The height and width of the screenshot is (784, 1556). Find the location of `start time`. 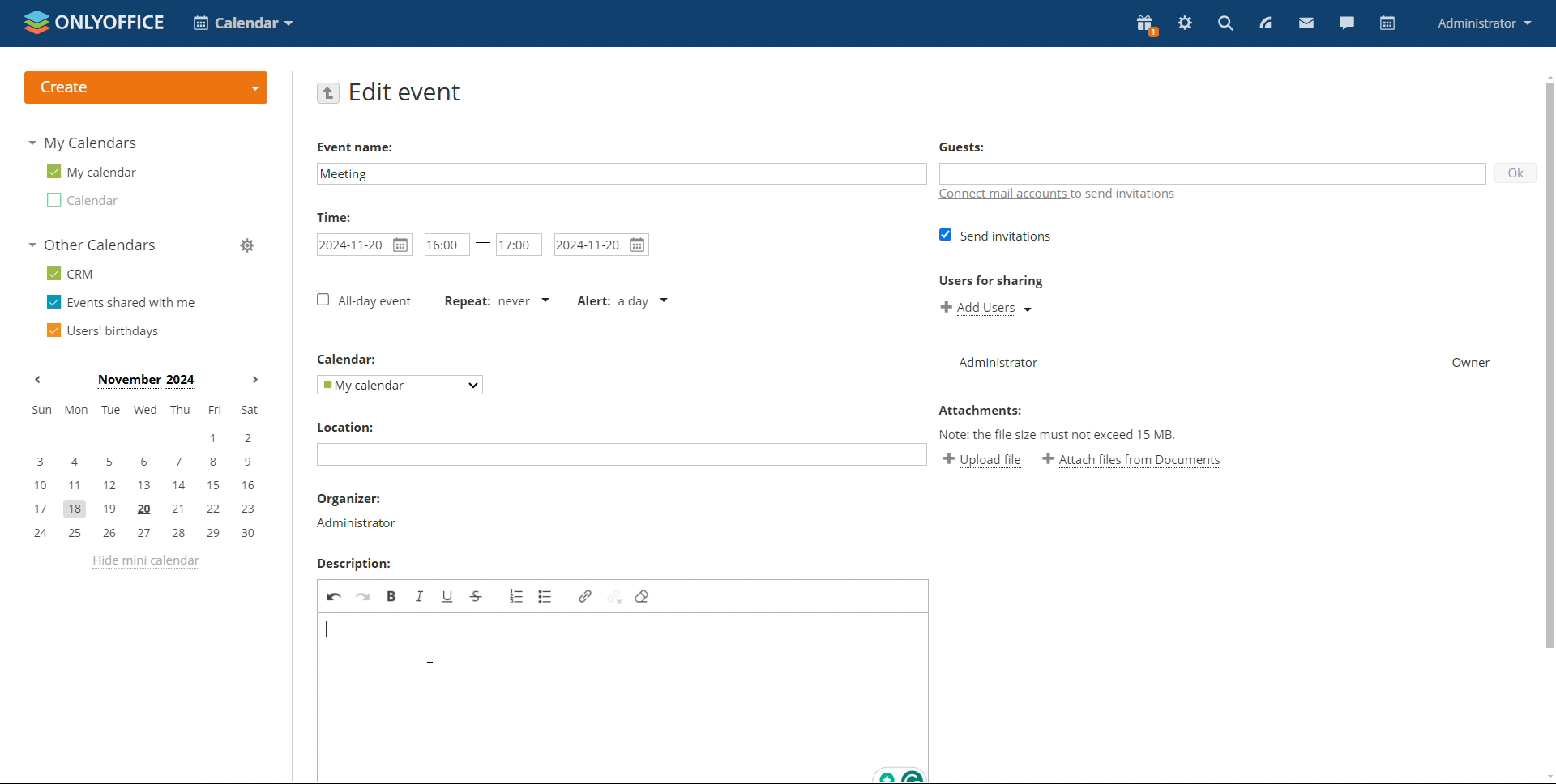

start time is located at coordinates (447, 245).